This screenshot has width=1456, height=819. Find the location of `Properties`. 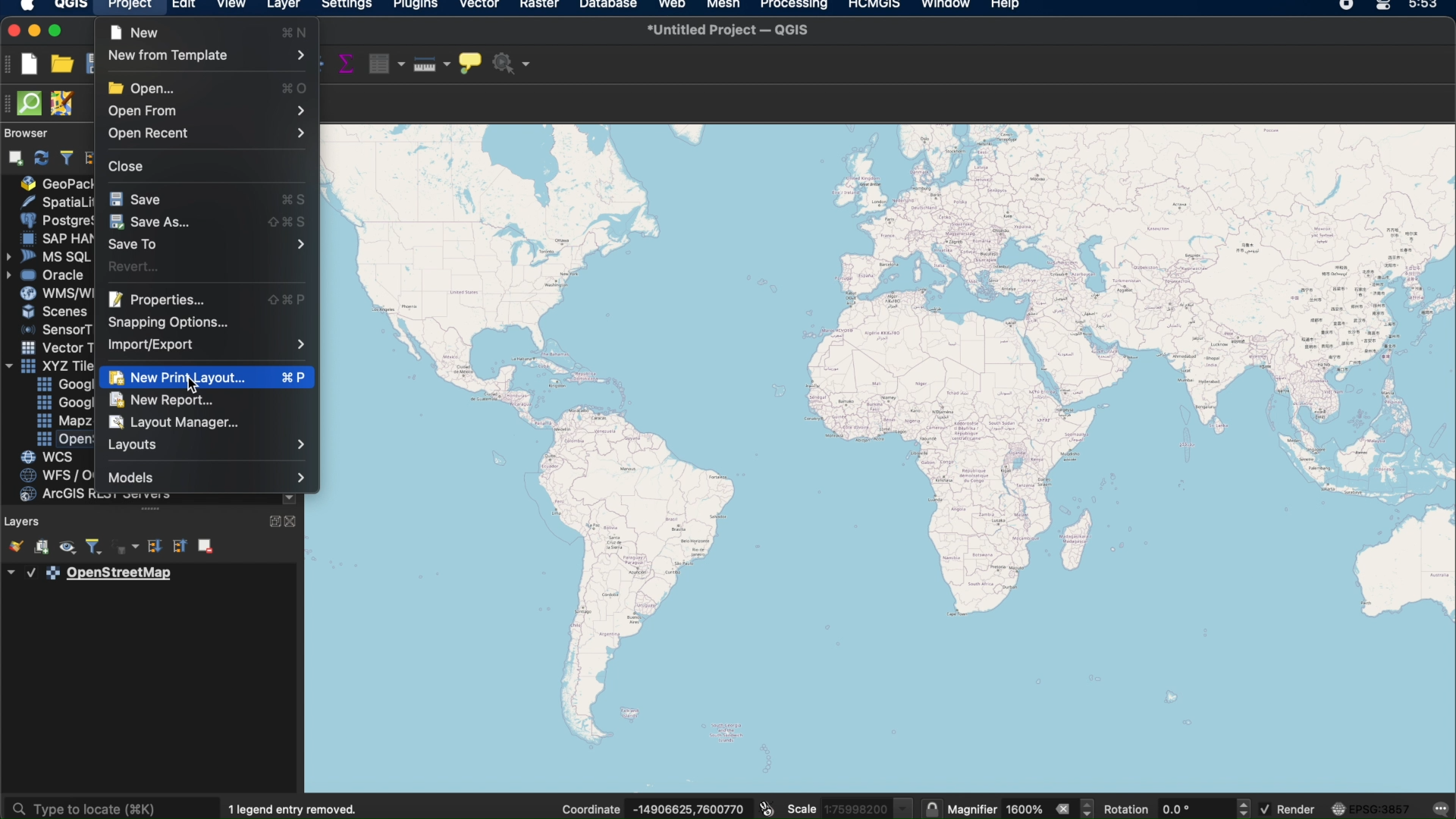

Properties is located at coordinates (211, 299).